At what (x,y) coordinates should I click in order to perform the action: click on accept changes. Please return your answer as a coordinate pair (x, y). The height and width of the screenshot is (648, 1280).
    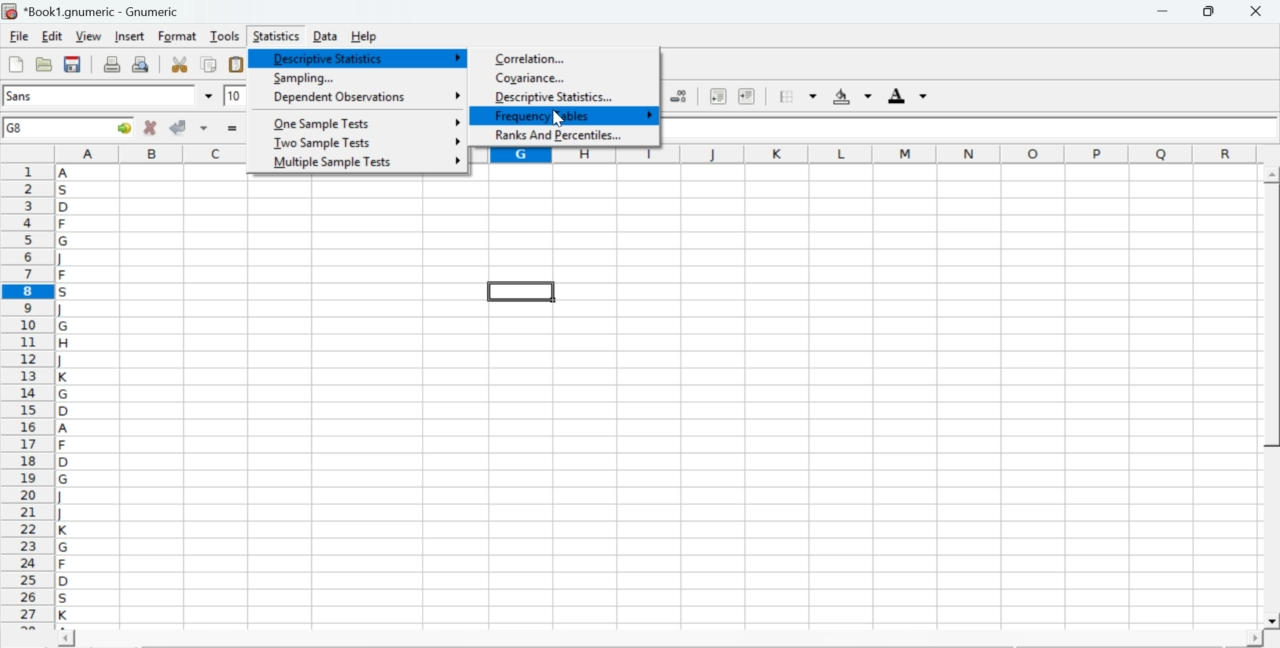
    Looking at the image, I should click on (179, 126).